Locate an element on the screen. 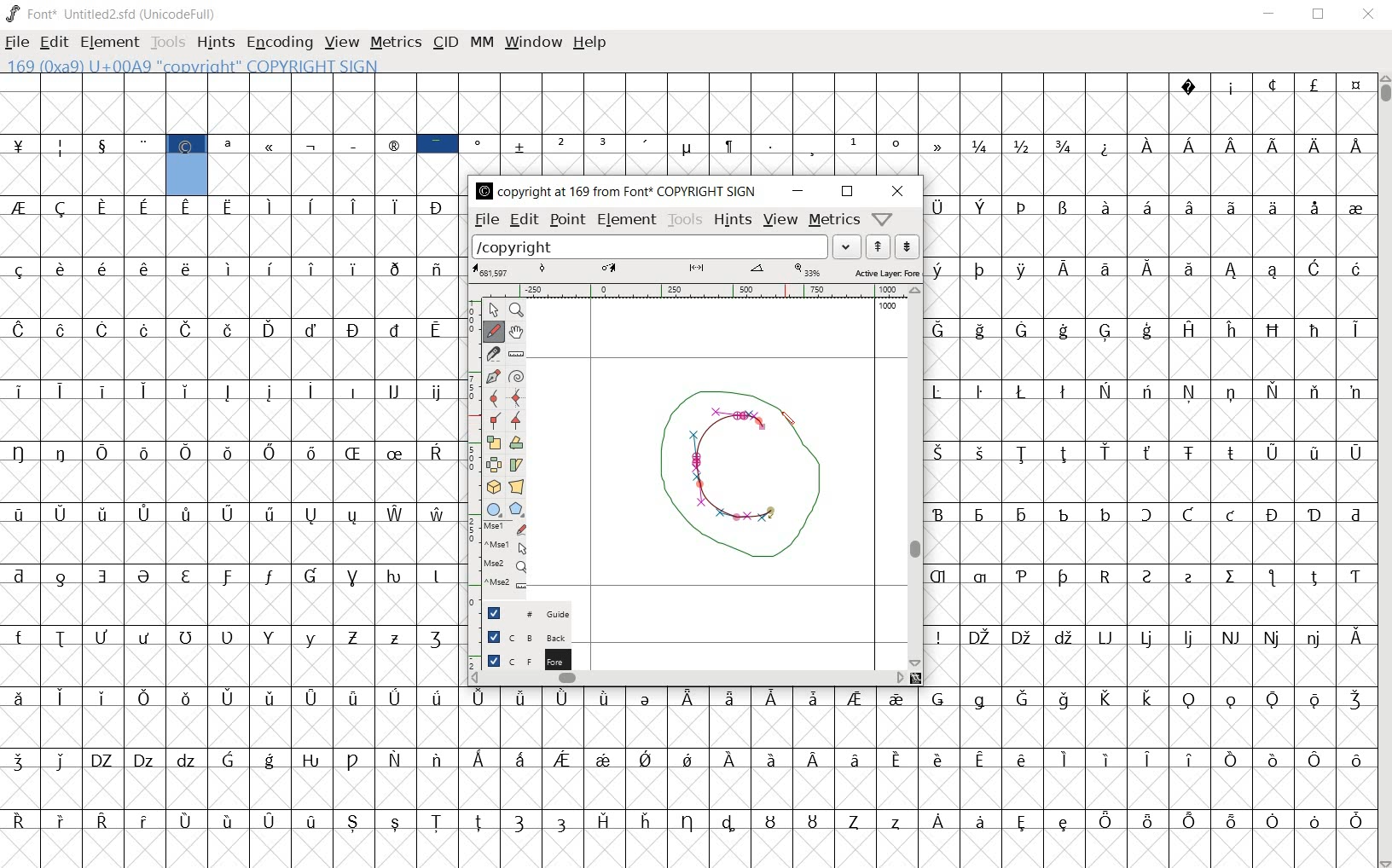 Image resolution: width=1392 pixels, height=868 pixels. tools is located at coordinates (170, 44).